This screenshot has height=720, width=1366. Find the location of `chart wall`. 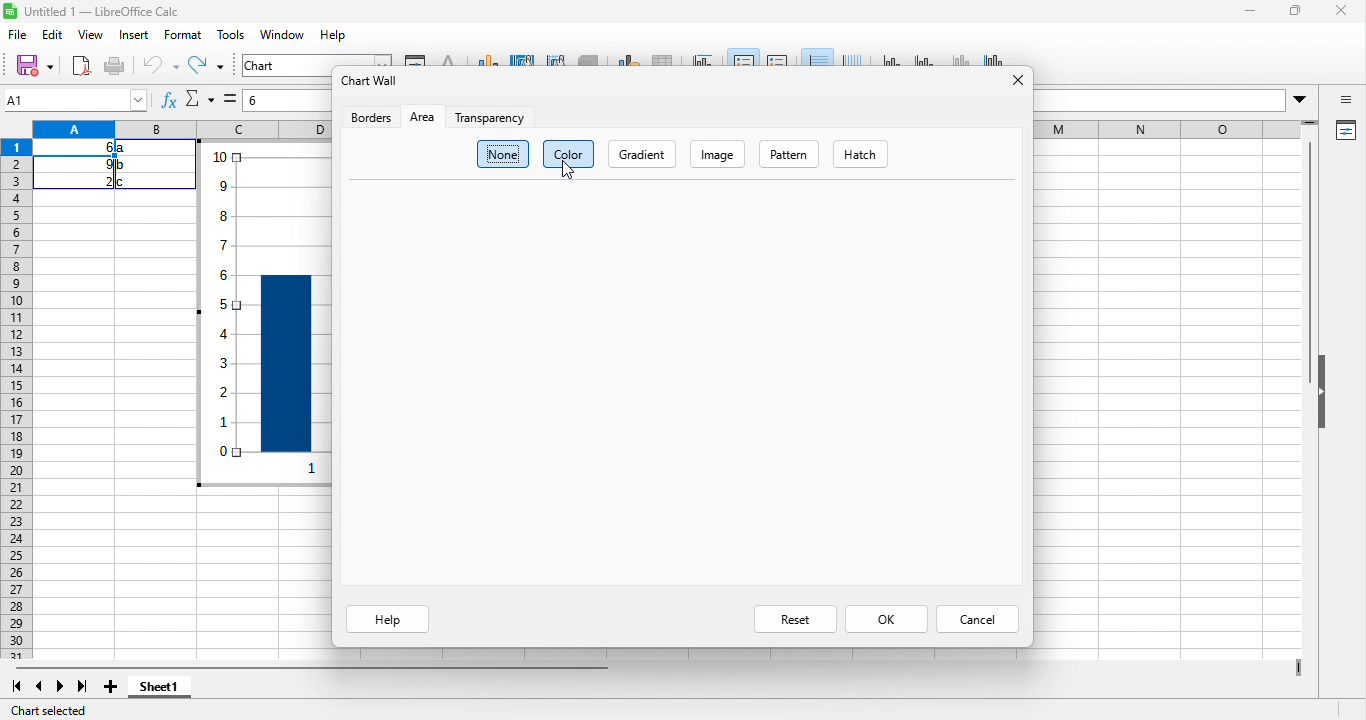

chart wall is located at coordinates (372, 81).